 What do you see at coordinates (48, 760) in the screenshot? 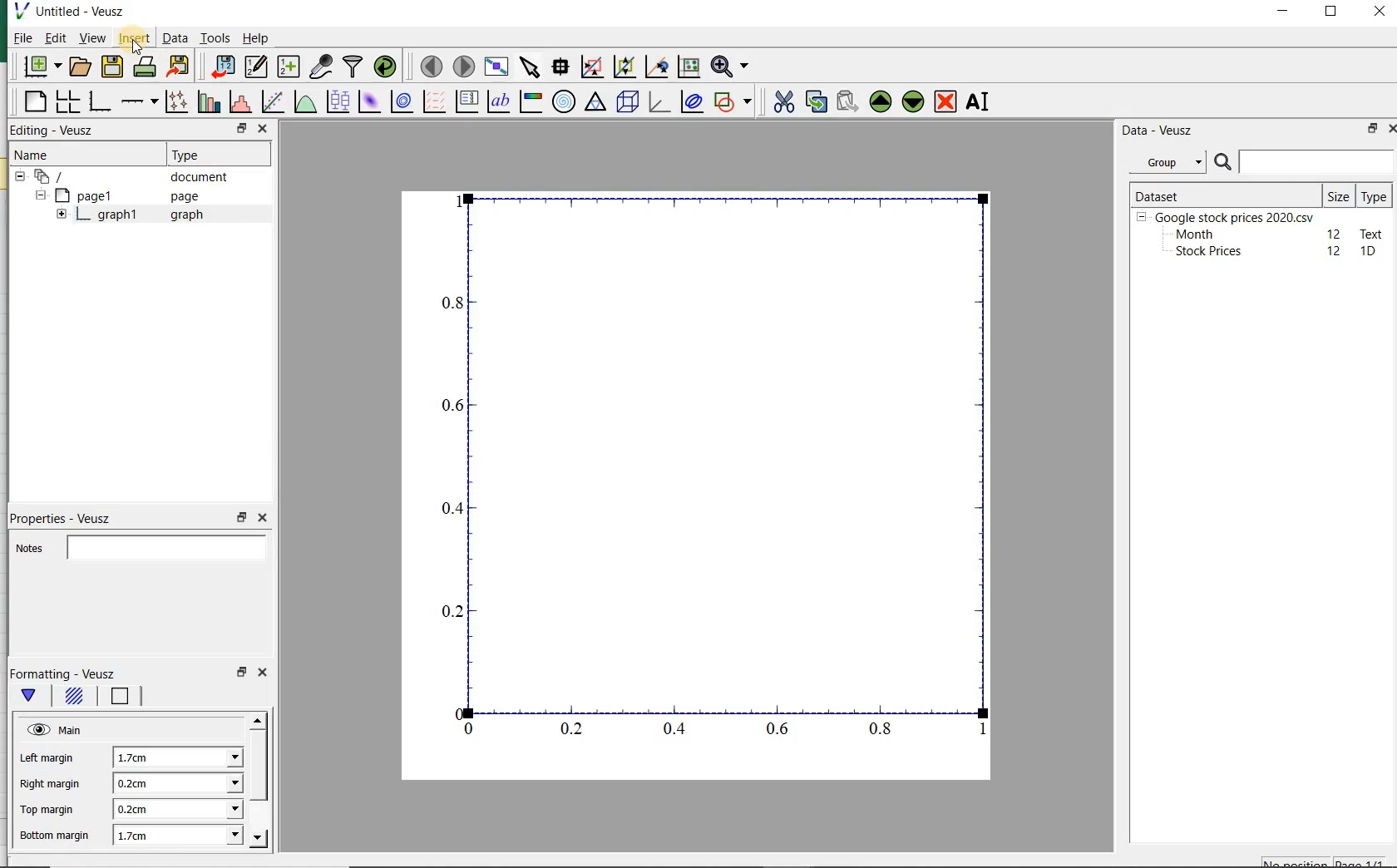
I see `Left margin` at bounding box center [48, 760].